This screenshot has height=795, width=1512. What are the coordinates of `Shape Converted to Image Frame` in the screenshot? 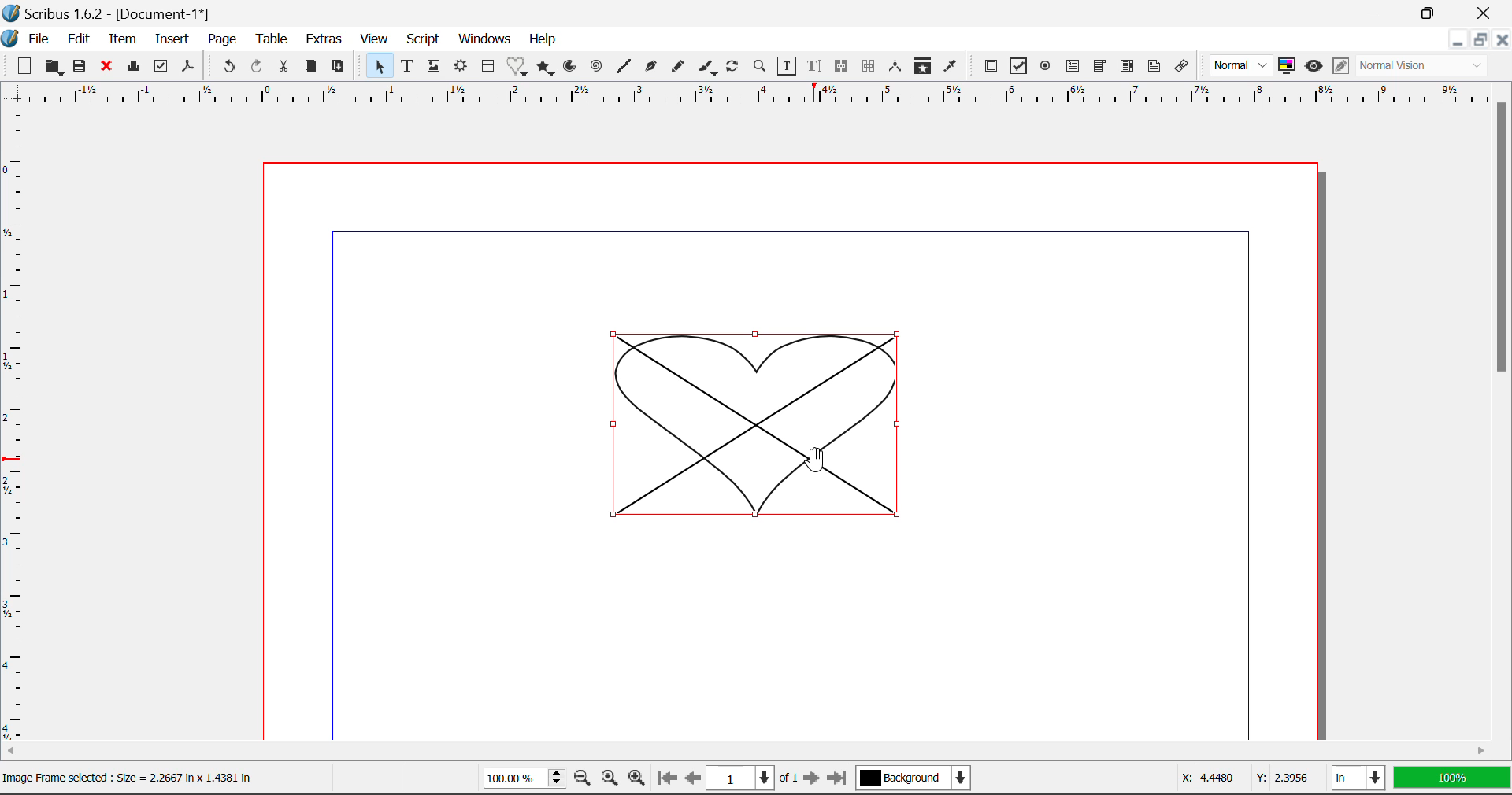 It's located at (754, 423).